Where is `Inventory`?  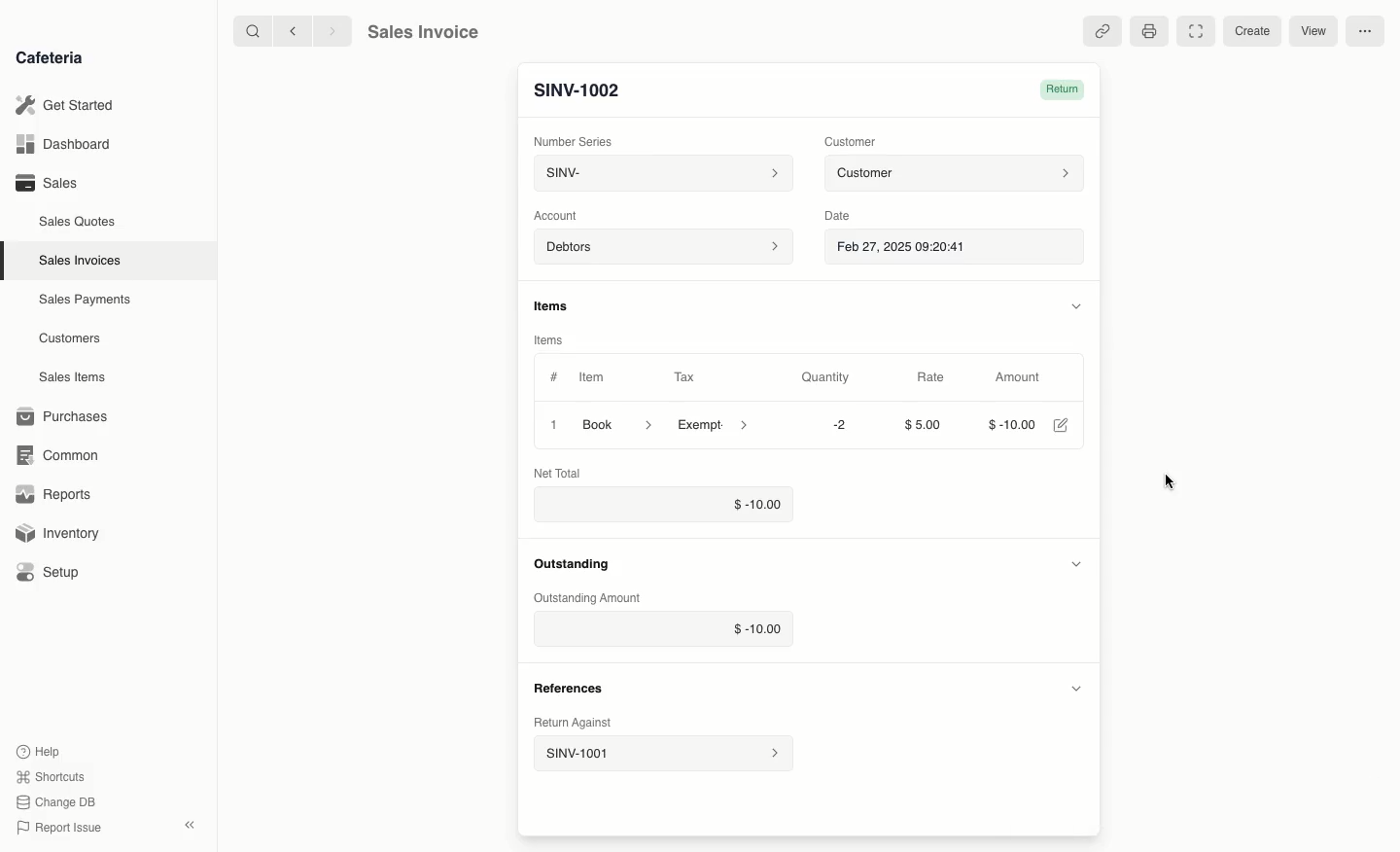 Inventory is located at coordinates (59, 536).